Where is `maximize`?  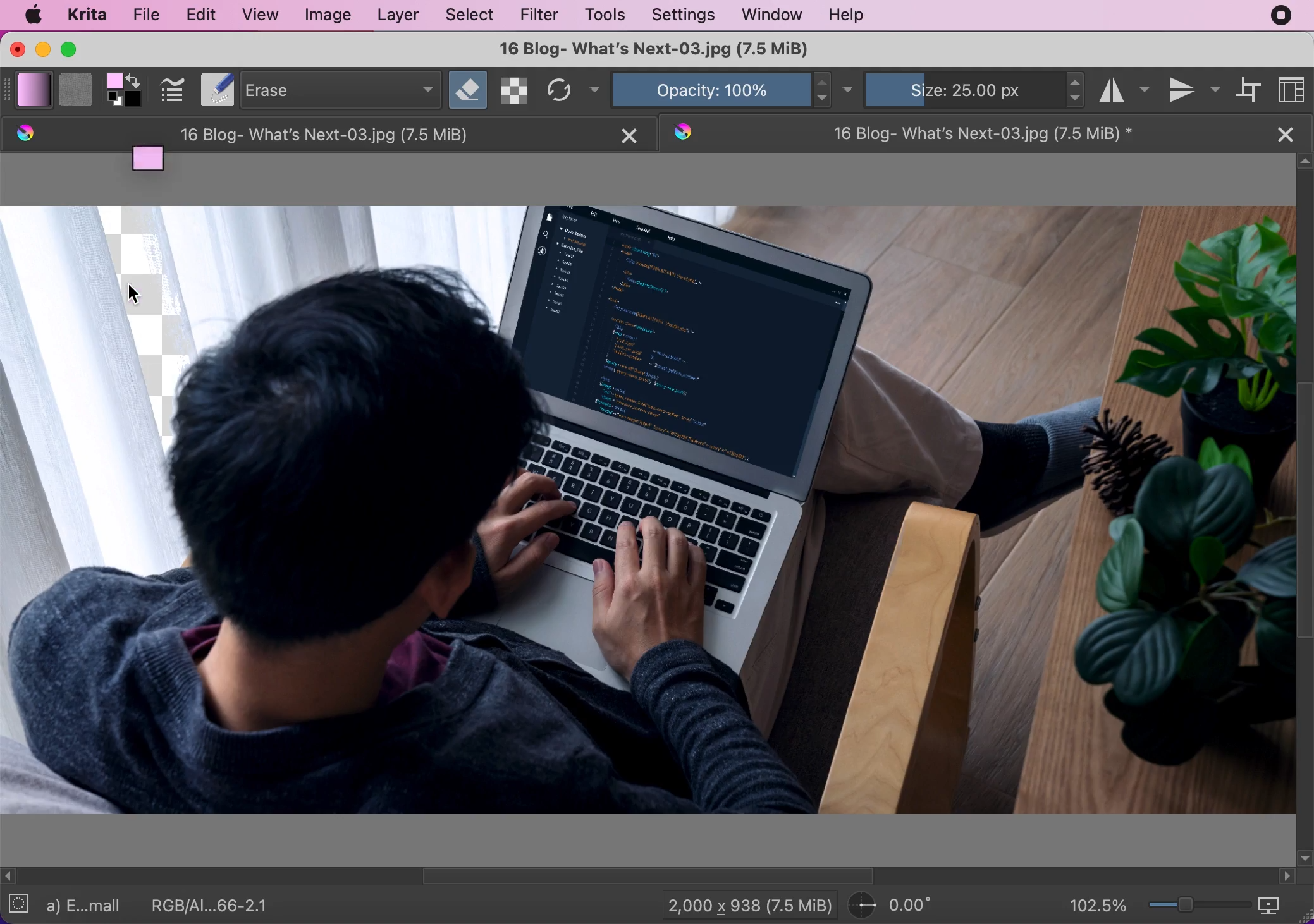
maximize is located at coordinates (75, 50).